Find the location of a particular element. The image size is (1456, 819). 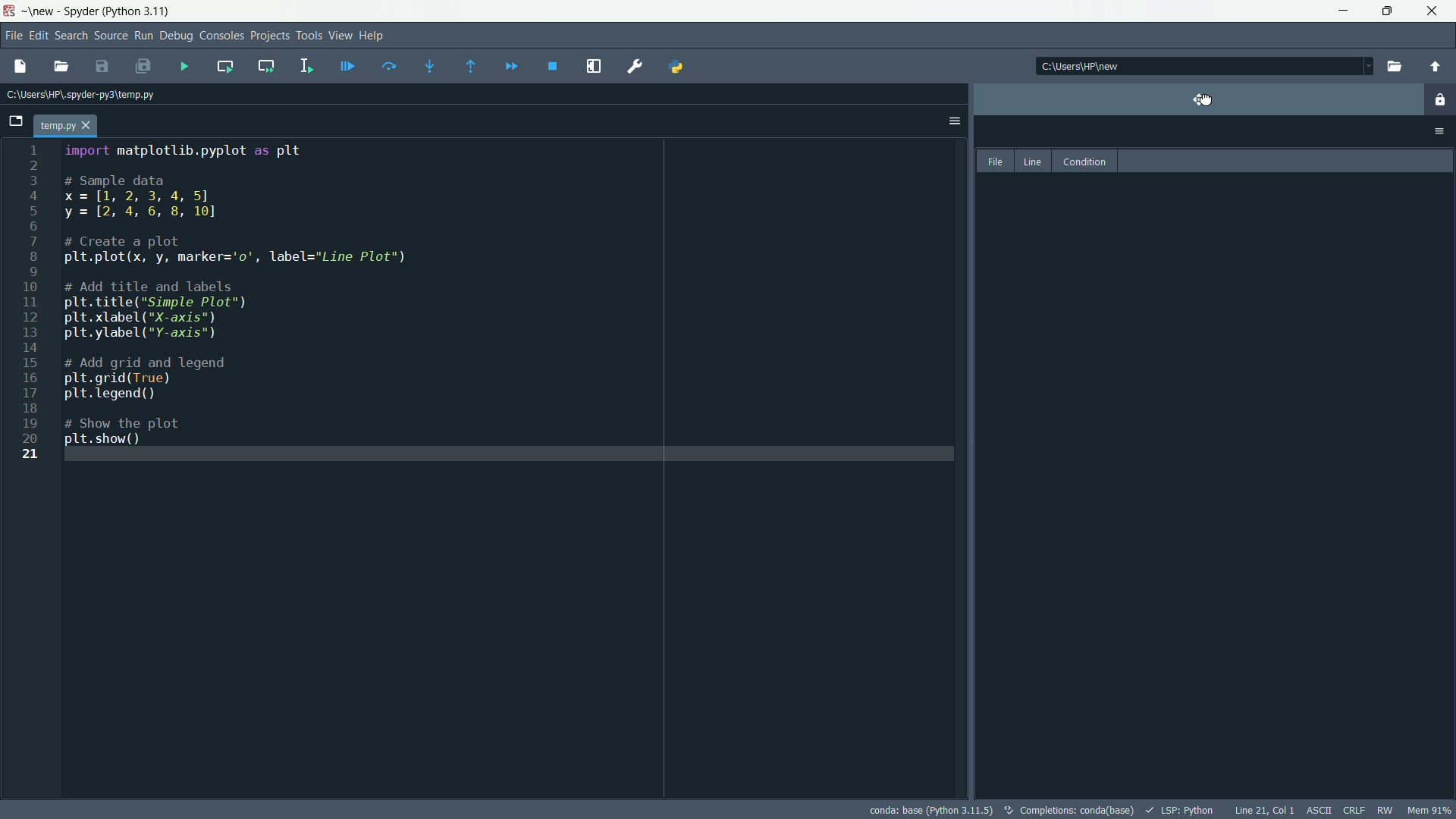

stop debugging  is located at coordinates (554, 67).